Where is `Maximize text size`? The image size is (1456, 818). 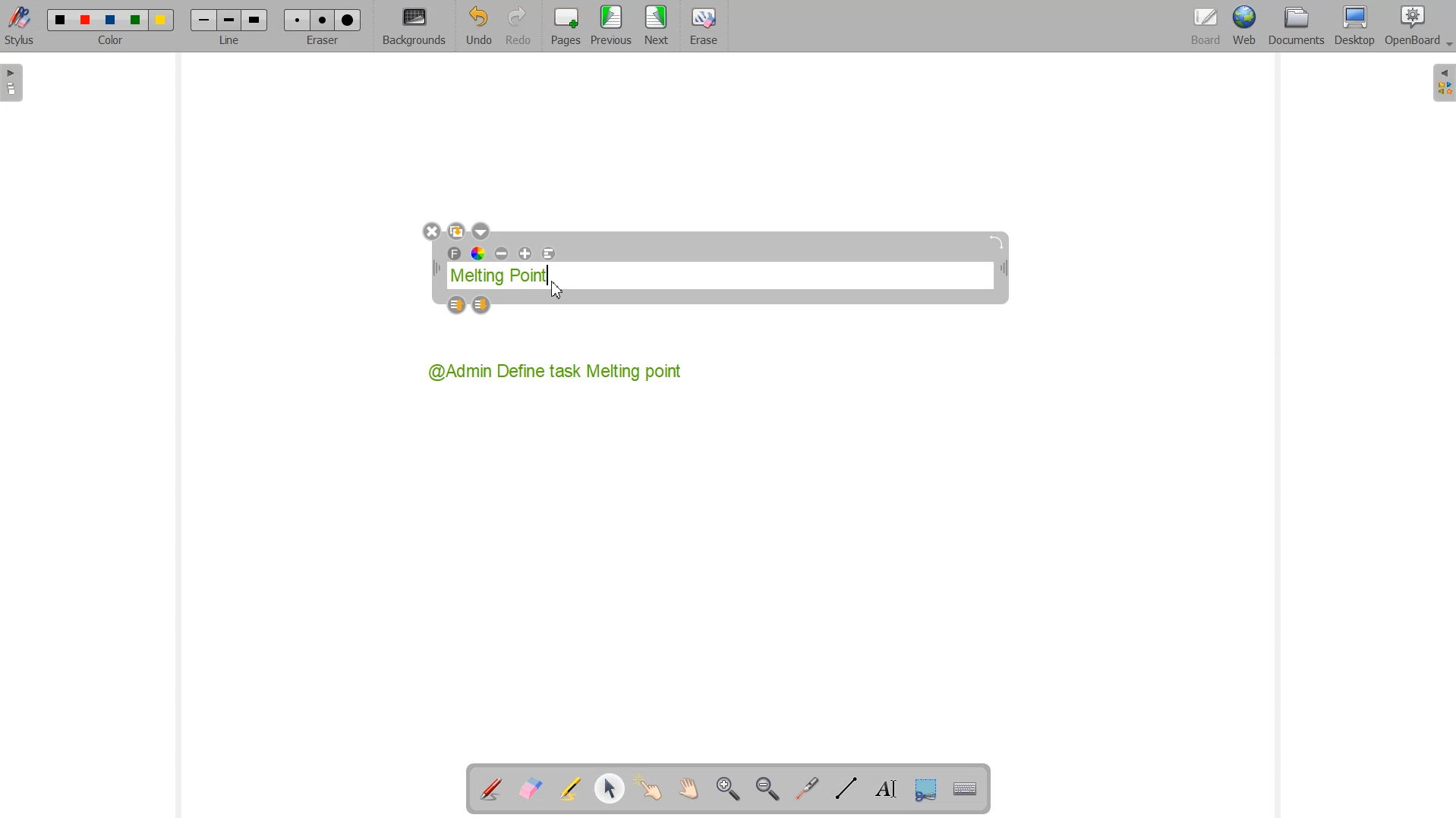
Maximize text size is located at coordinates (525, 254).